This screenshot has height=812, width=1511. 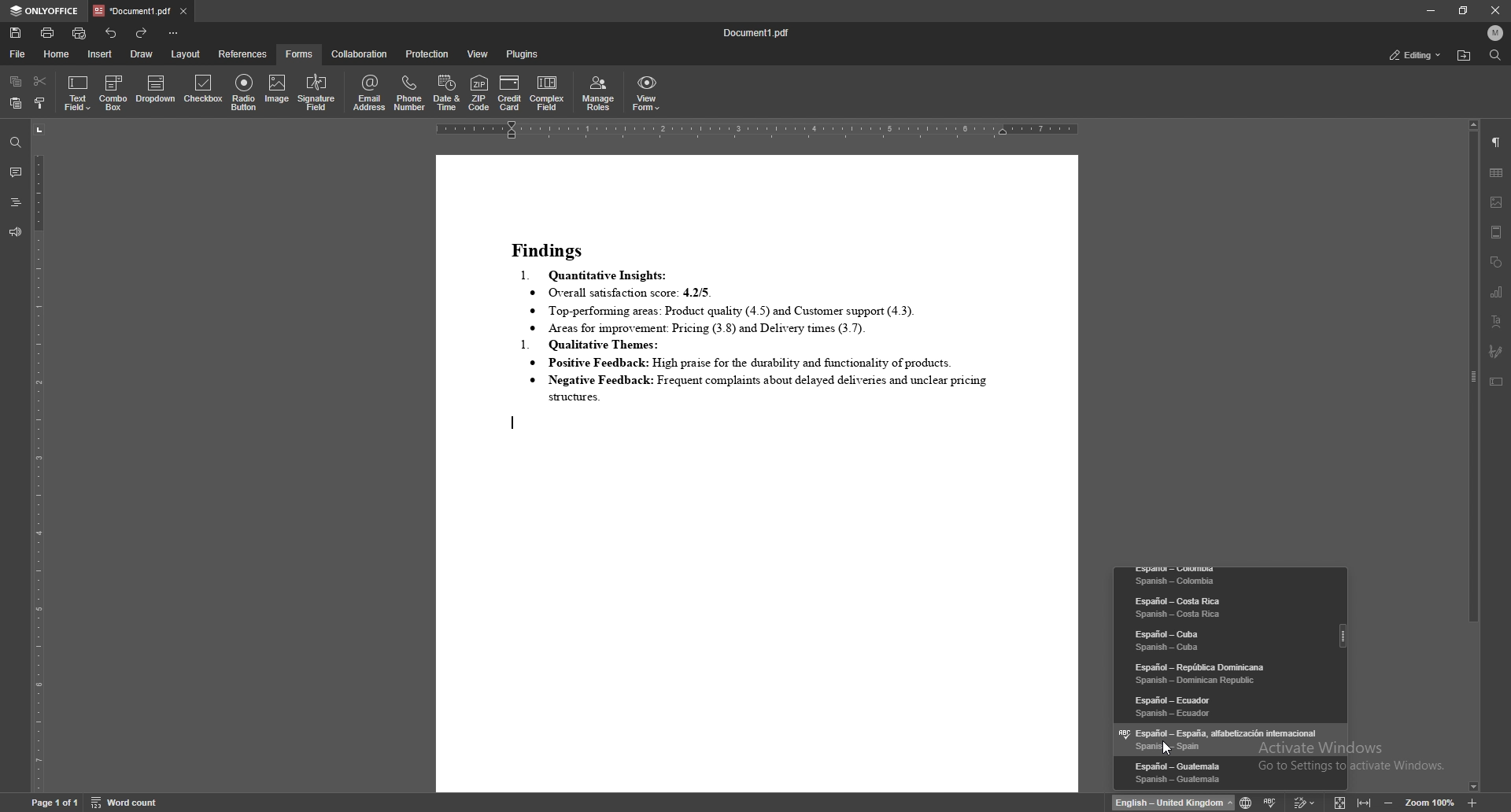 What do you see at coordinates (549, 94) in the screenshot?
I see `complex field` at bounding box center [549, 94].